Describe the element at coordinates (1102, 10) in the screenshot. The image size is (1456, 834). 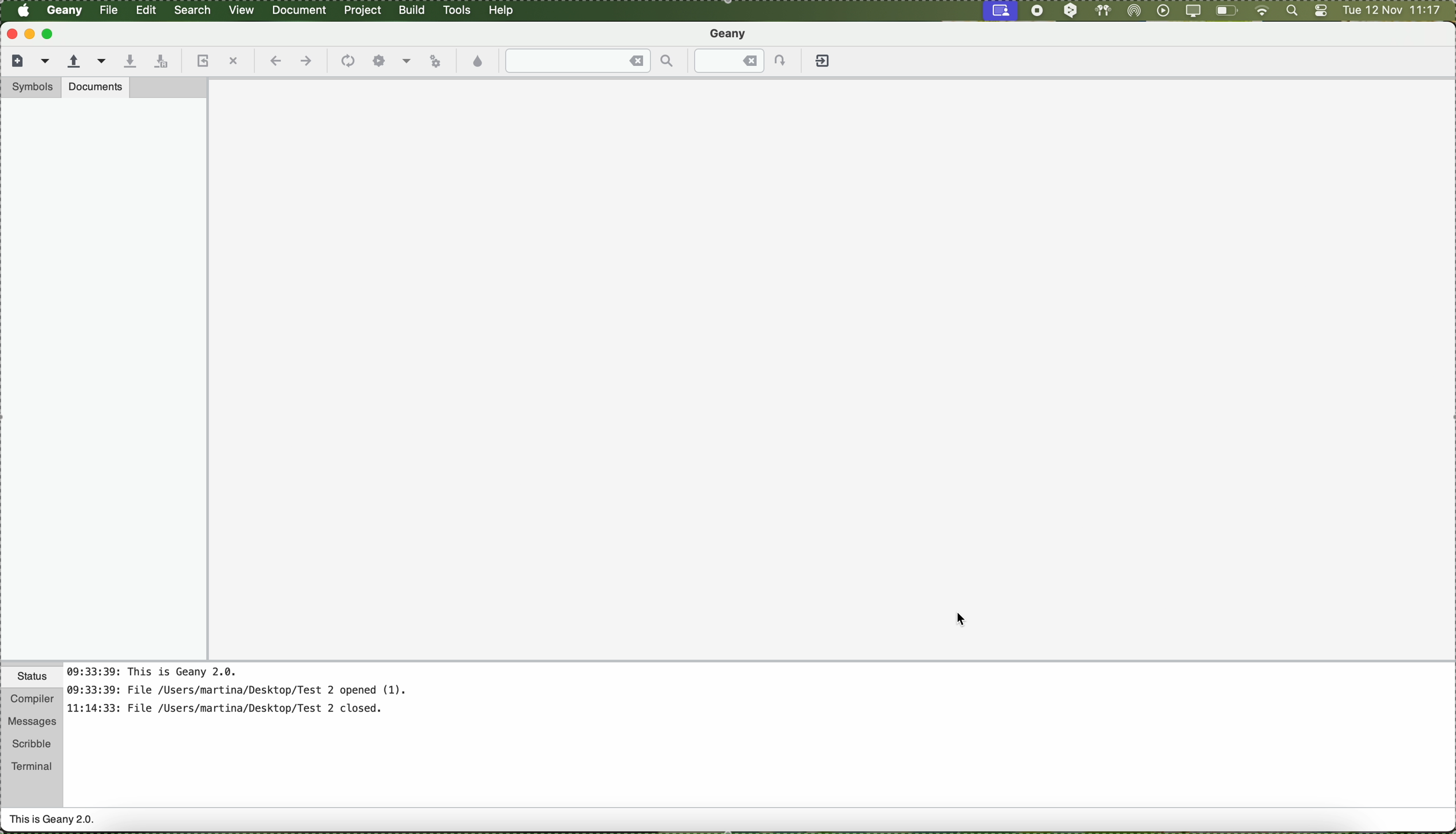
I see `airpods` at that location.